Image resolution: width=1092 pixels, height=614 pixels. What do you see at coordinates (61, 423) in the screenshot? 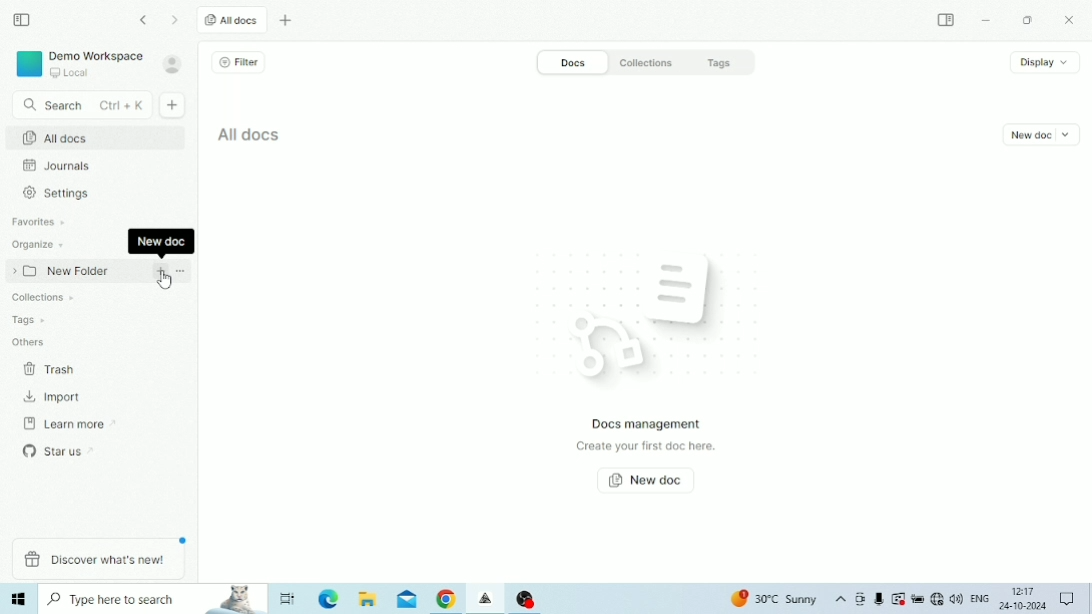
I see `Learn more` at bounding box center [61, 423].